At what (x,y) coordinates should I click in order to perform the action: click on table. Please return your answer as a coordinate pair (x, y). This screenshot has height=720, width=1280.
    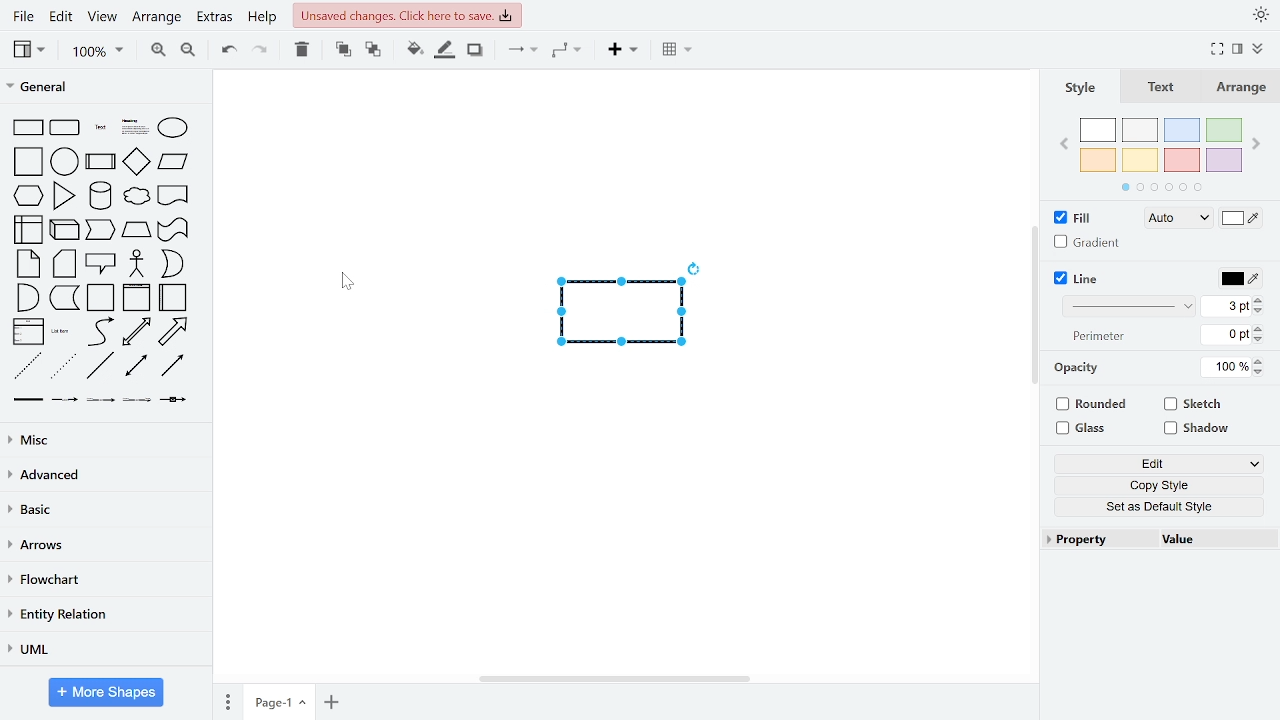
    Looking at the image, I should click on (678, 51).